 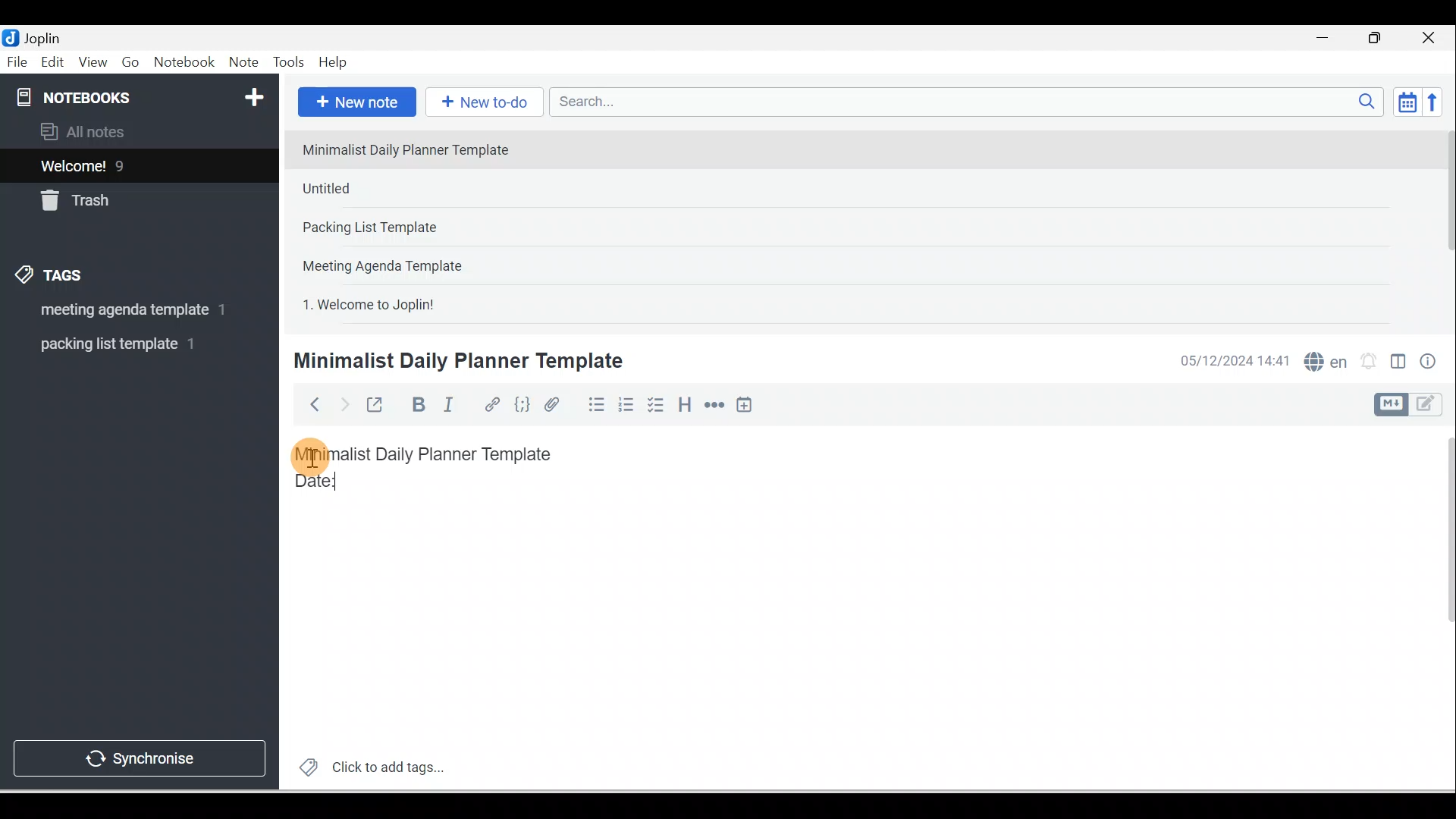 What do you see at coordinates (366, 765) in the screenshot?
I see `Click to add tags` at bounding box center [366, 765].